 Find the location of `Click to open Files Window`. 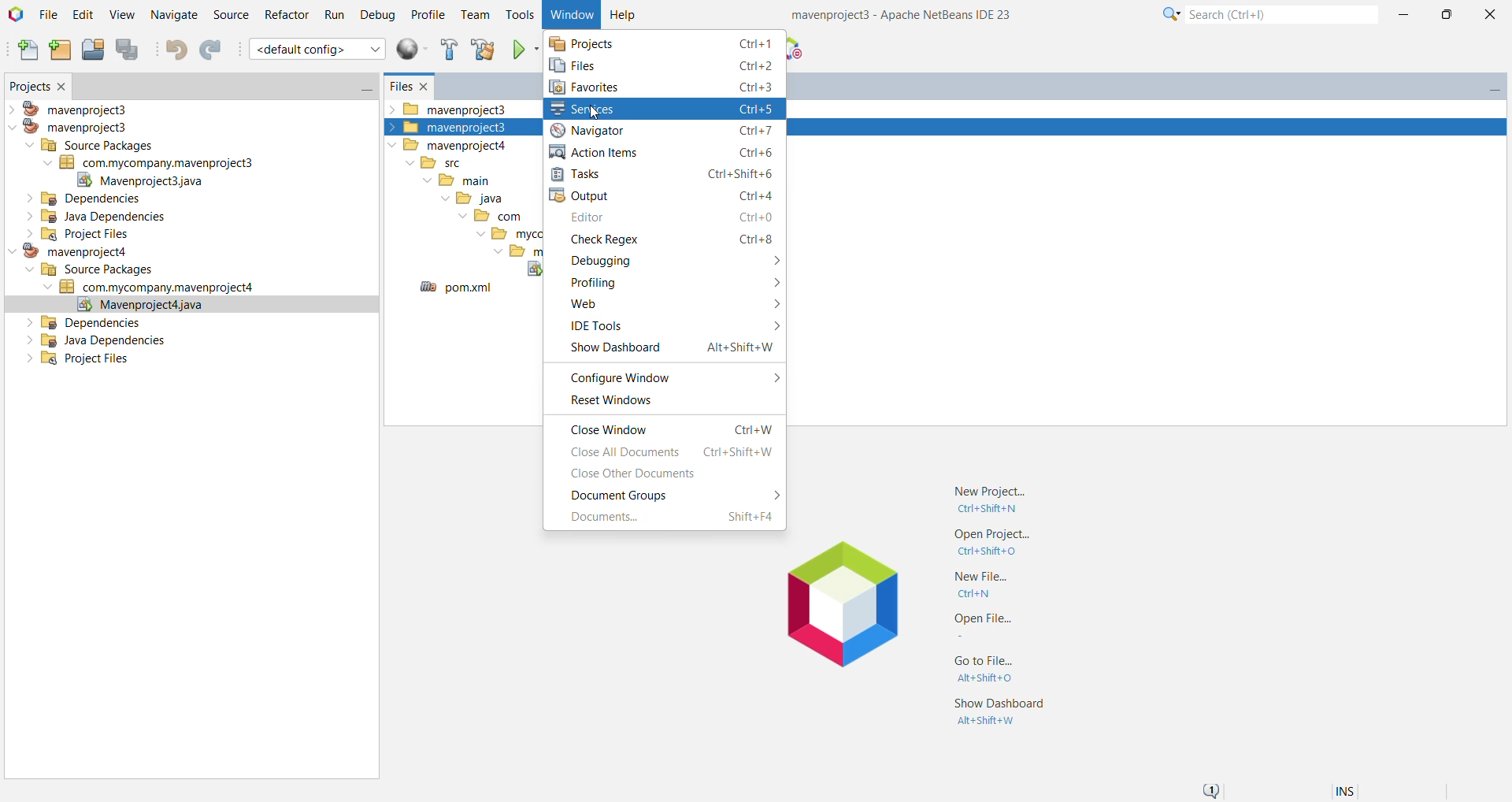

Click to open Files Window is located at coordinates (667, 65).